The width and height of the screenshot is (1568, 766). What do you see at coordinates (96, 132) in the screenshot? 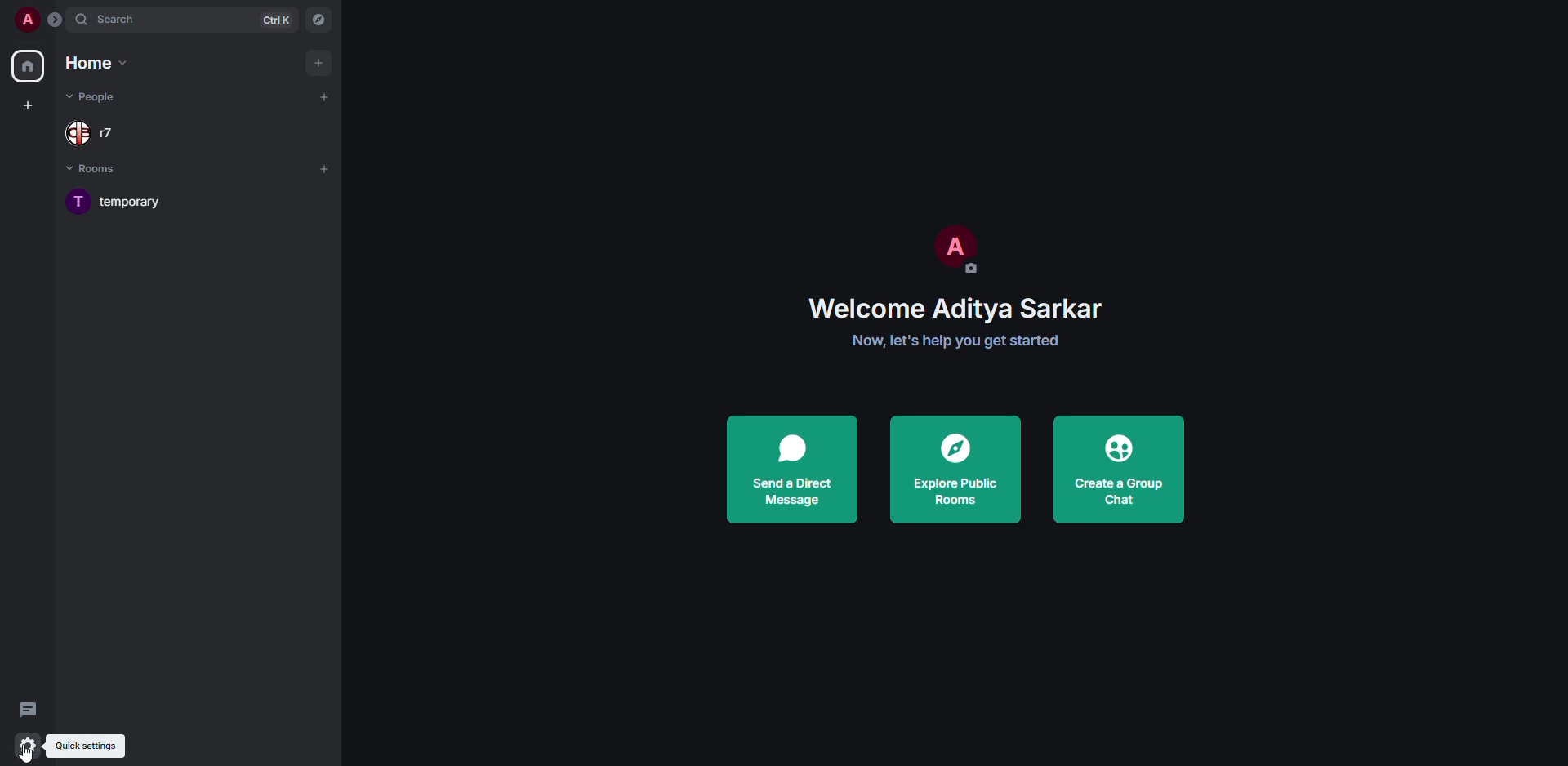
I see `people` at bounding box center [96, 132].